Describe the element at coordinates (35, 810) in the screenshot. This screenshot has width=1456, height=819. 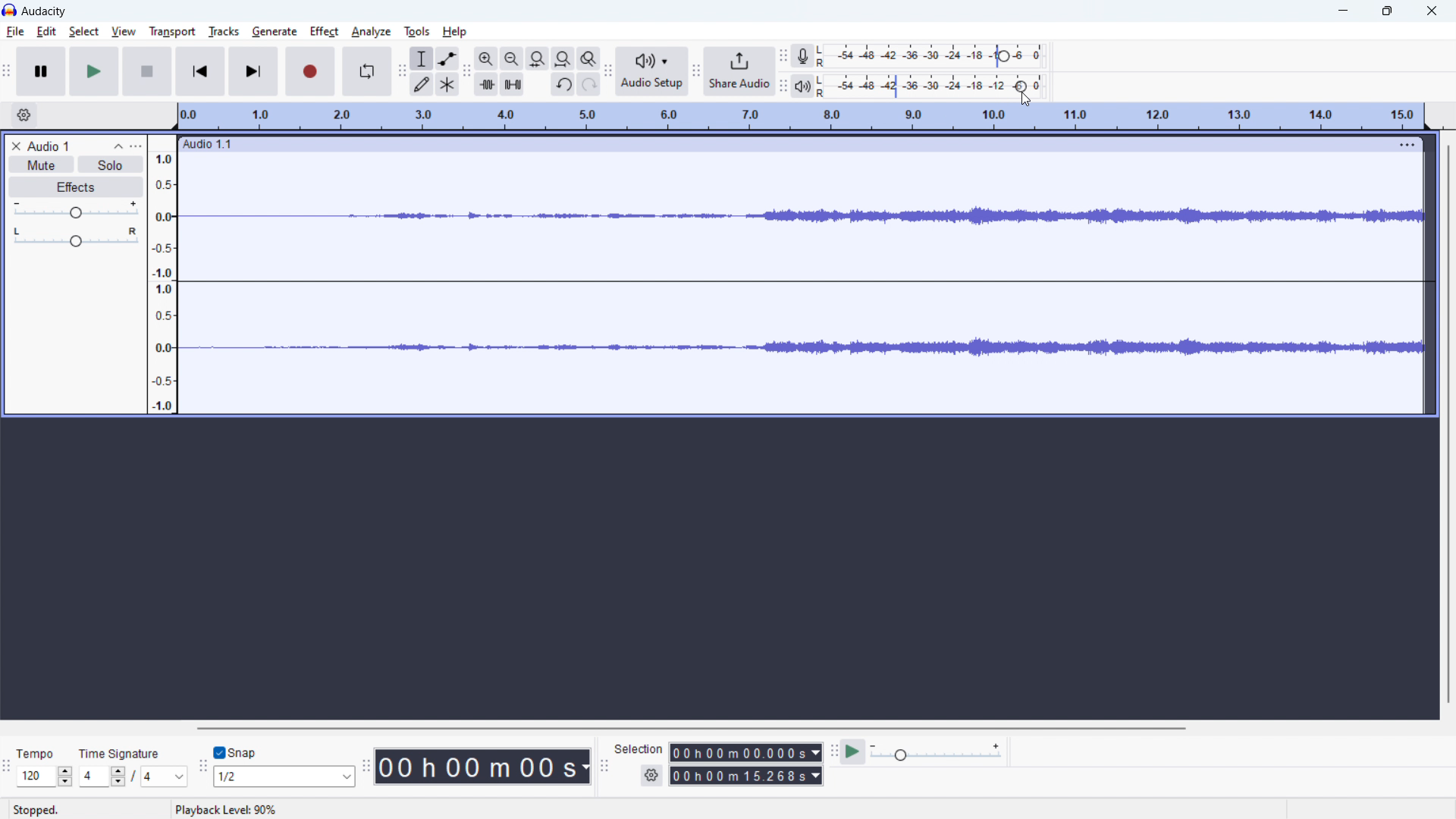
I see `Stopped` at that location.